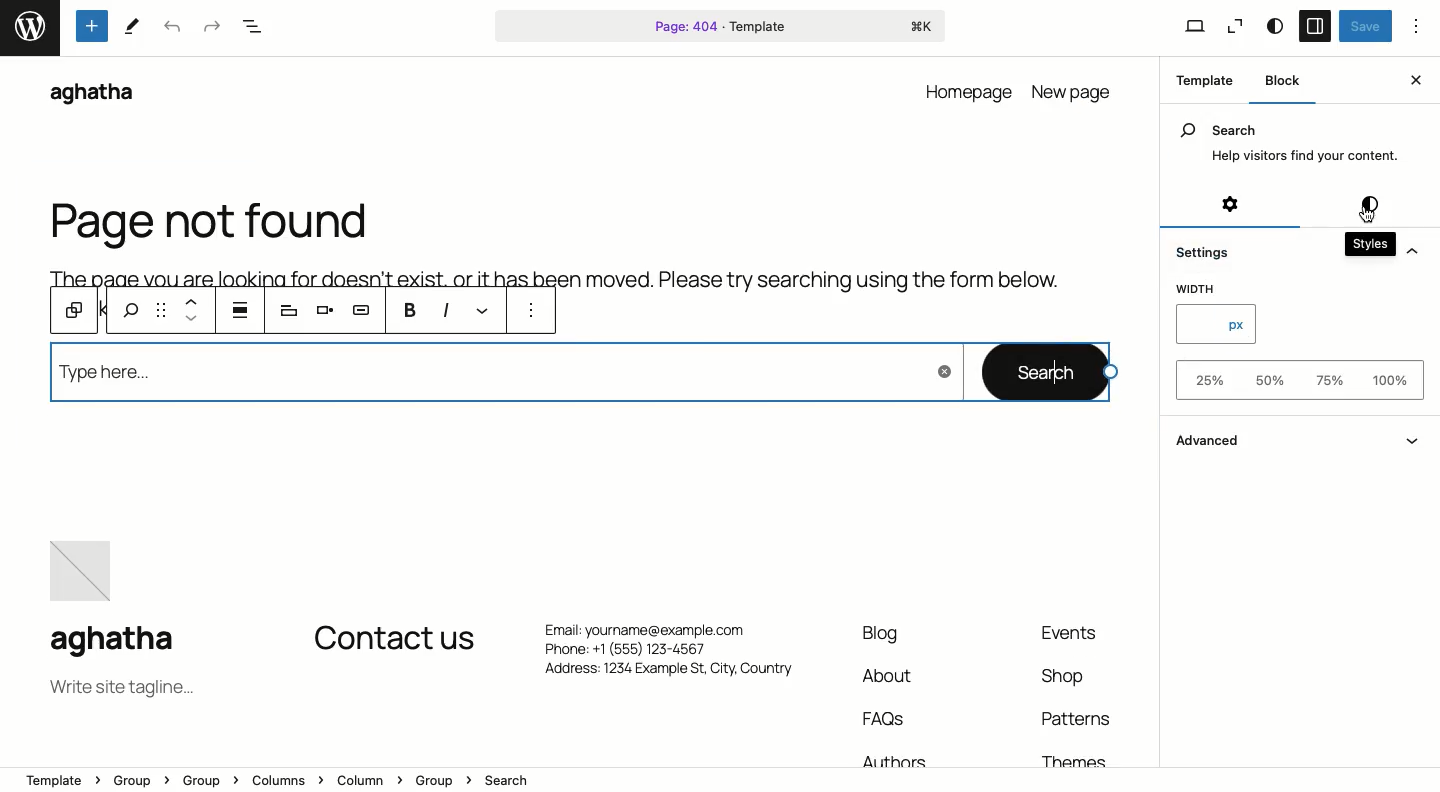  Describe the element at coordinates (1366, 26) in the screenshot. I see `Save` at that location.